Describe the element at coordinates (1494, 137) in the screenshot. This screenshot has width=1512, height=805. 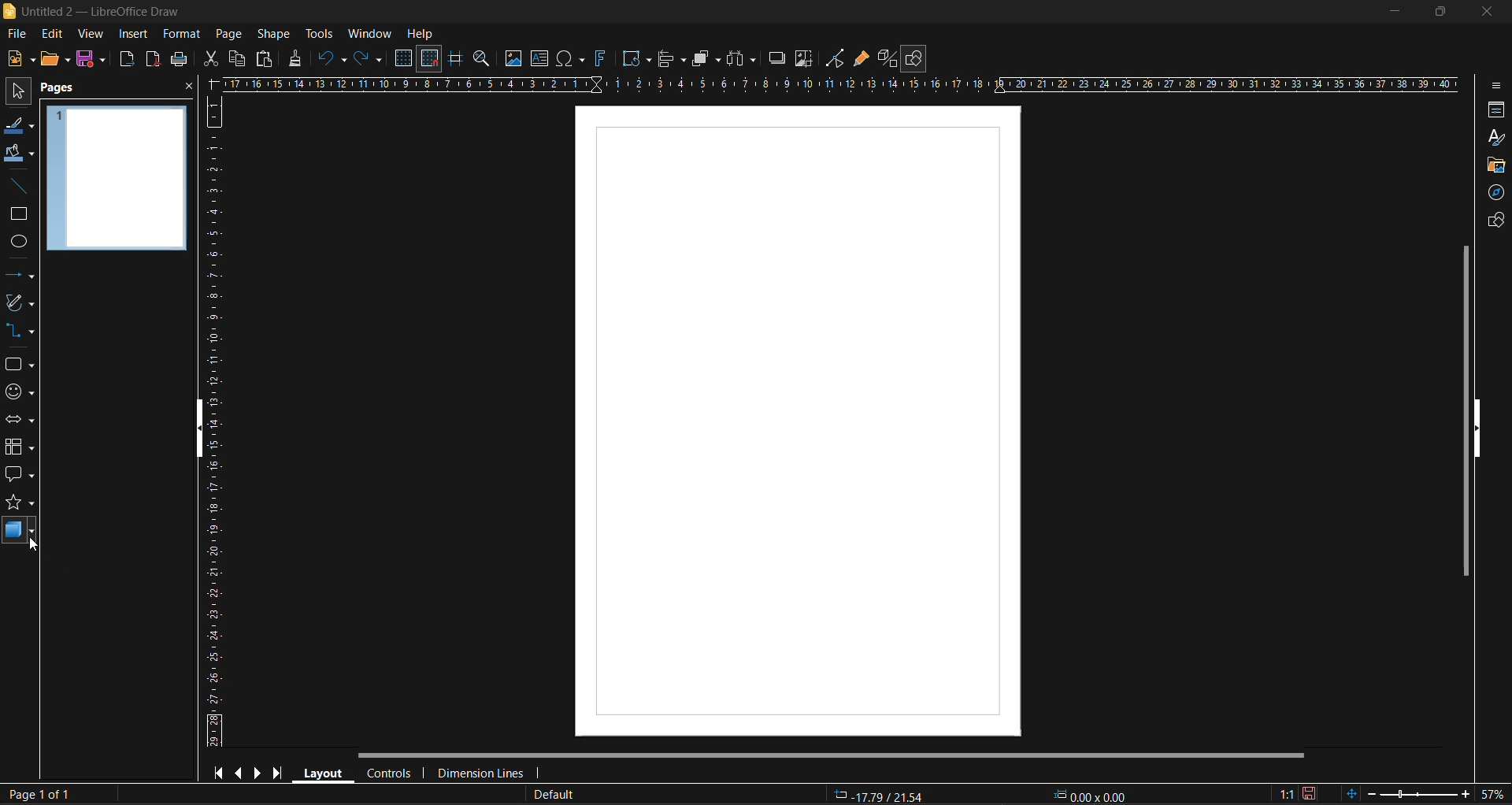
I see `styles` at that location.